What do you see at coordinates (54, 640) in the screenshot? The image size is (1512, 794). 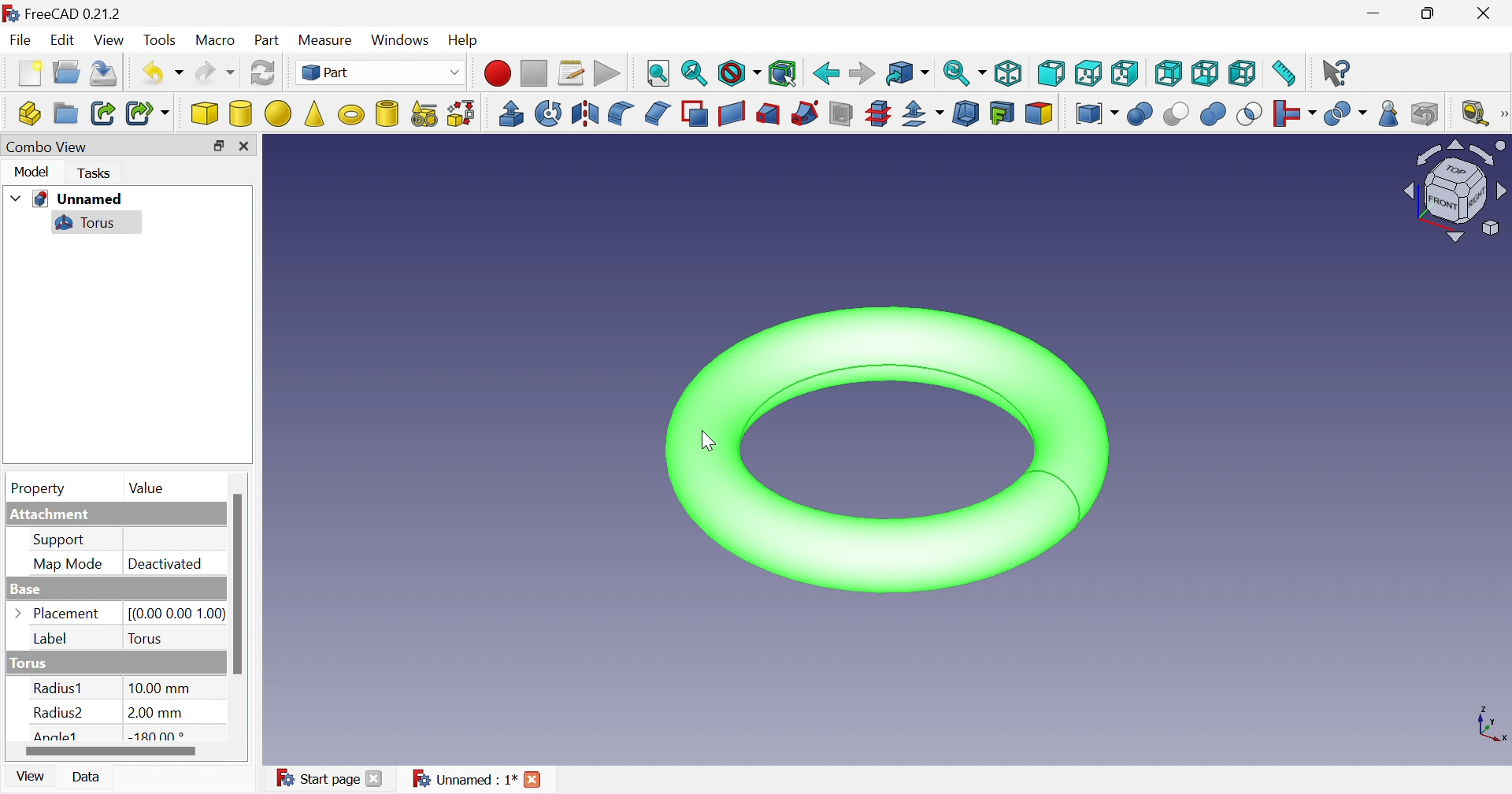 I see `Label` at bounding box center [54, 640].